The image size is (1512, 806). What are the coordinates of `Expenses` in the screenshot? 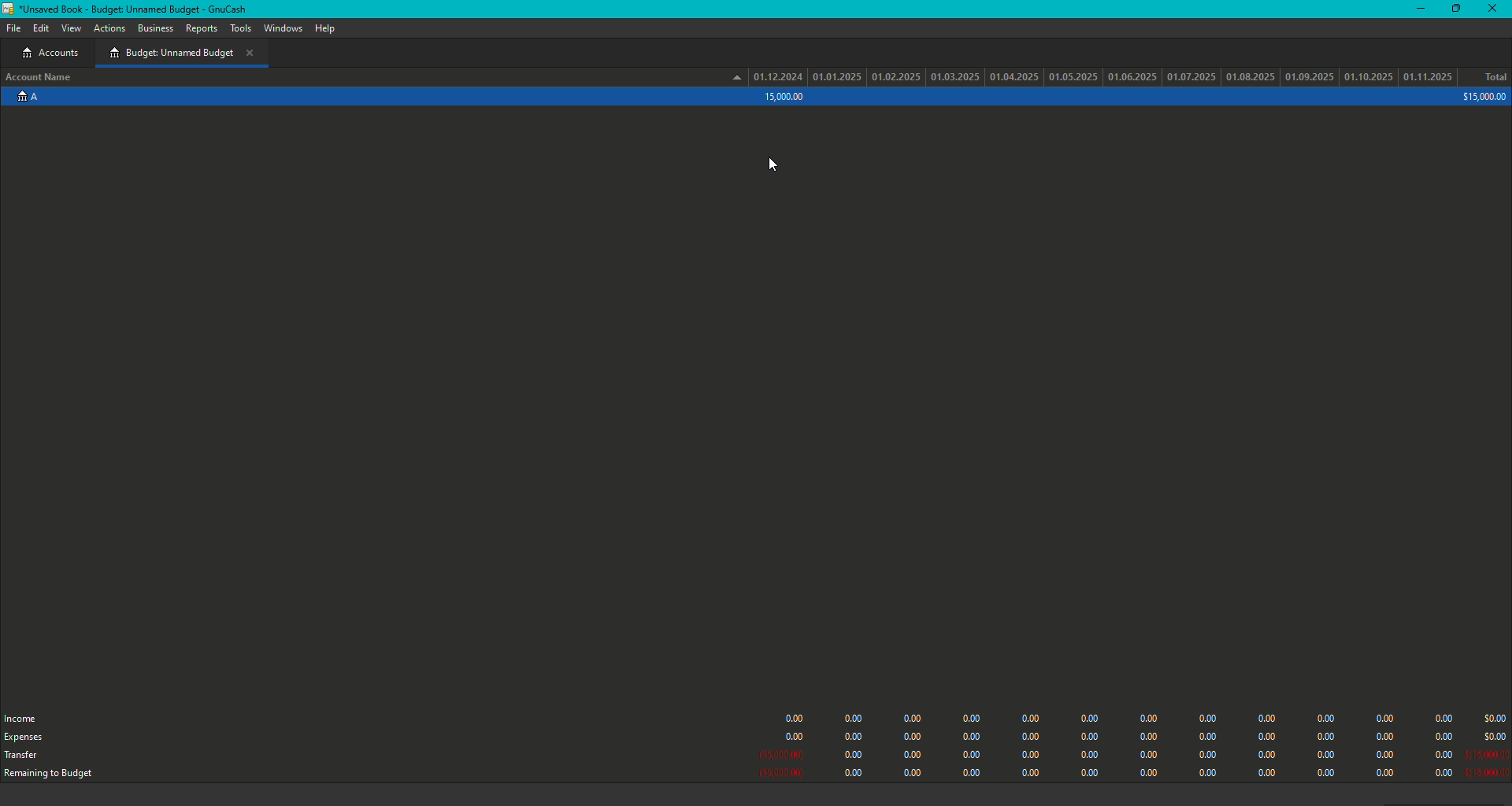 It's located at (24, 738).